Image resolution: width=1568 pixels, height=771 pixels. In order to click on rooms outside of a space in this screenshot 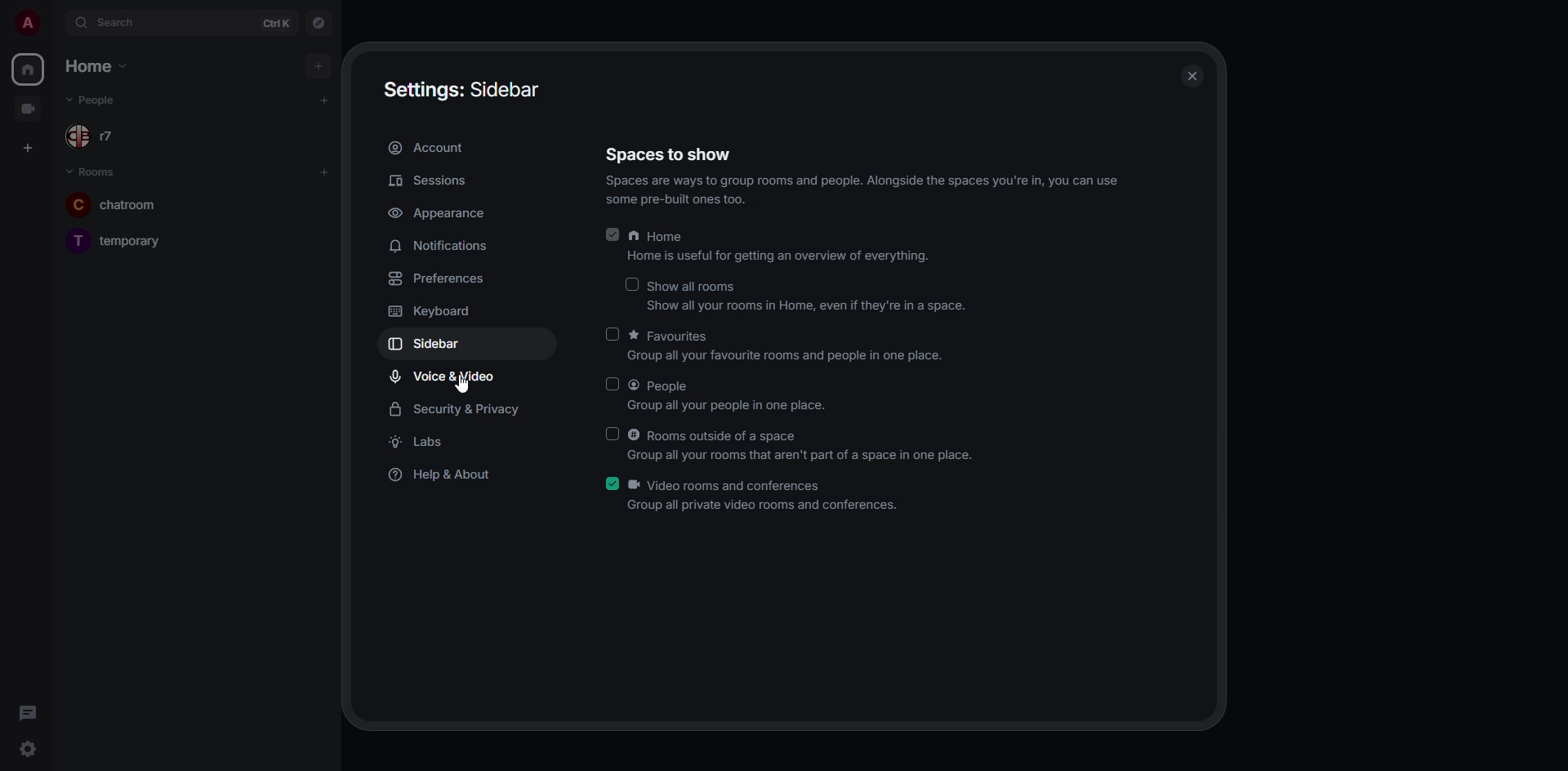, I will do `click(800, 443)`.